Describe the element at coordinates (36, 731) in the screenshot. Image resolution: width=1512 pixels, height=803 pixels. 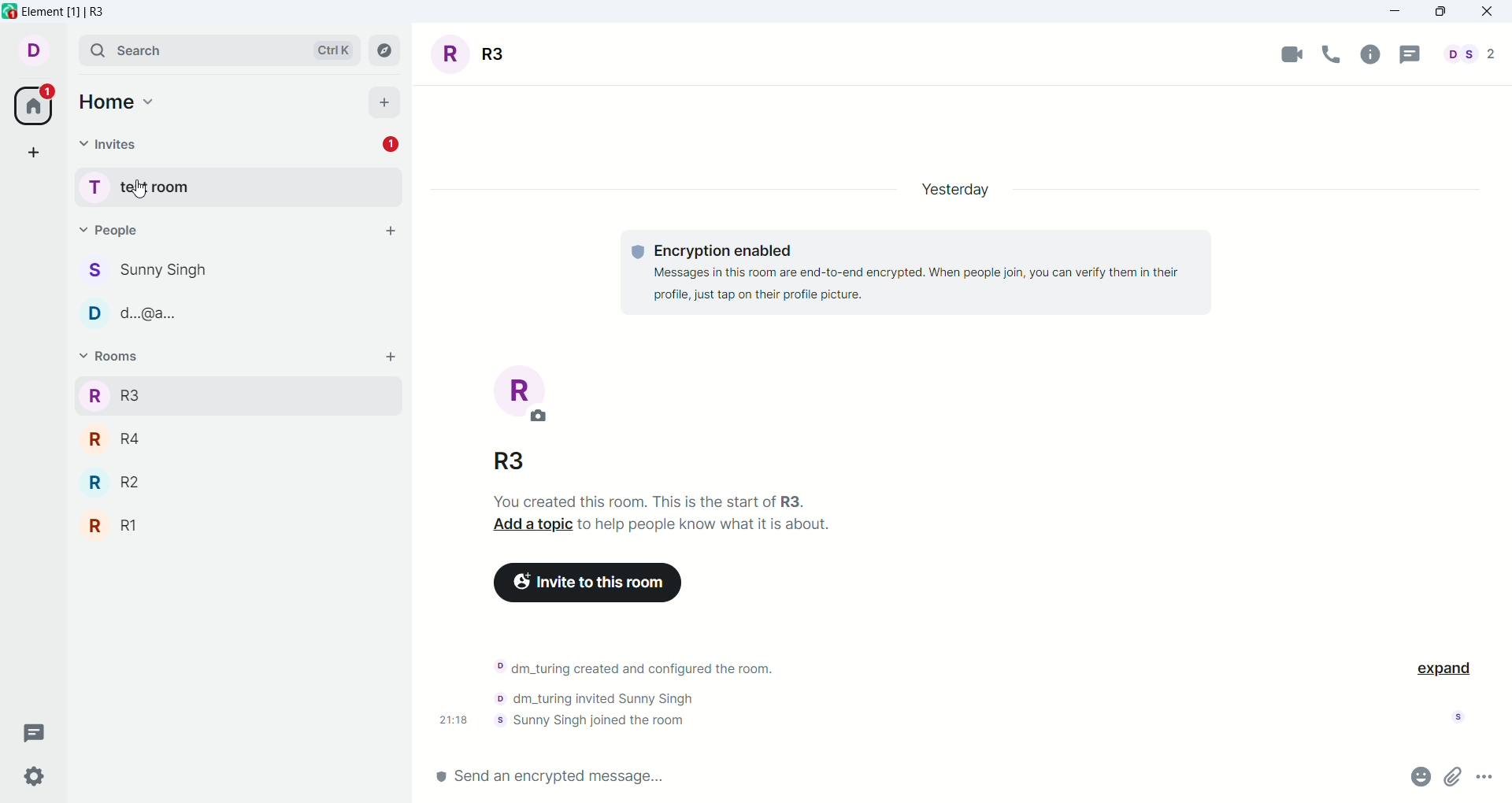
I see `threads` at that location.